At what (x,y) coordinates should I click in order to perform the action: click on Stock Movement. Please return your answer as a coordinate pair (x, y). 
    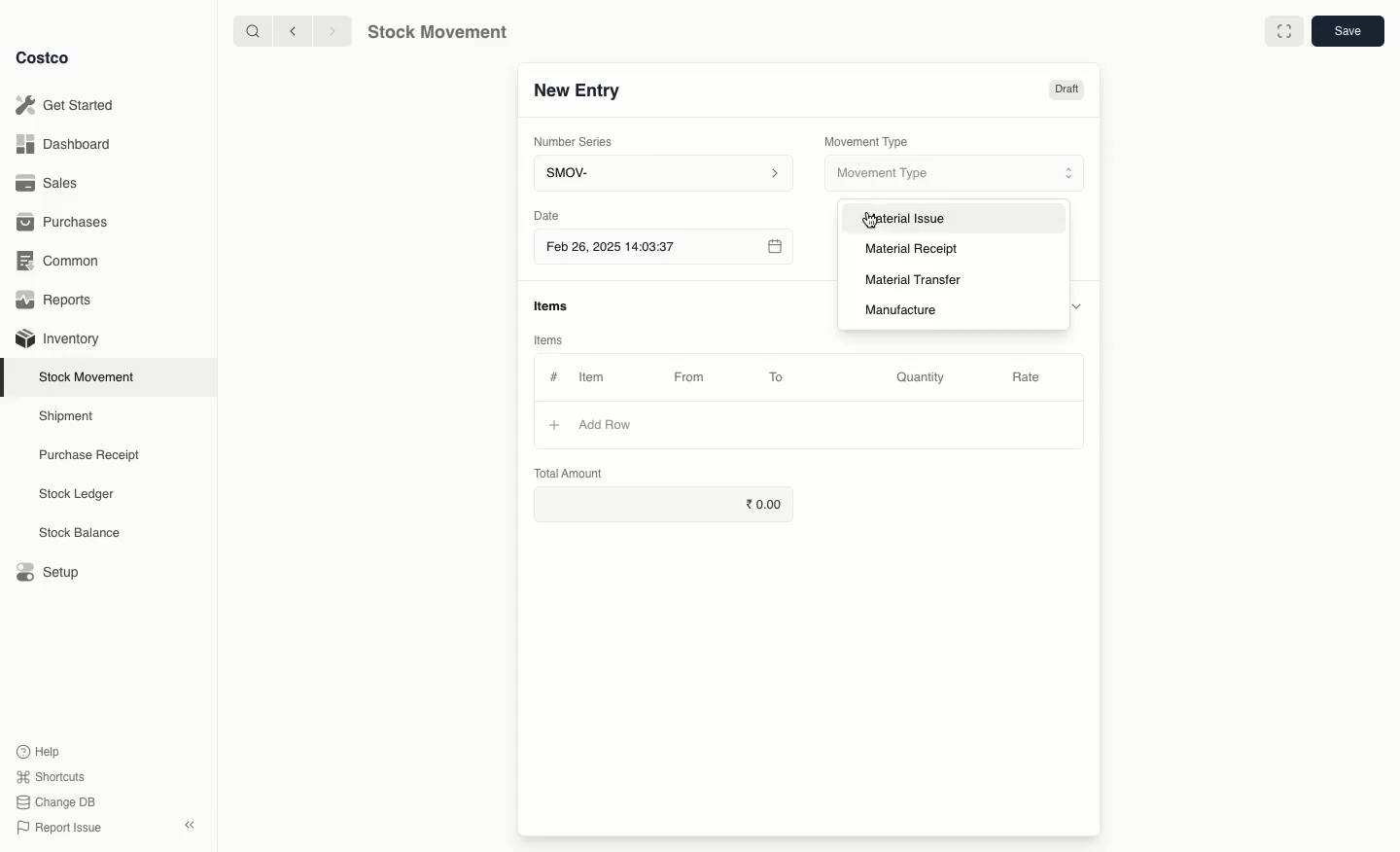
    Looking at the image, I should click on (90, 376).